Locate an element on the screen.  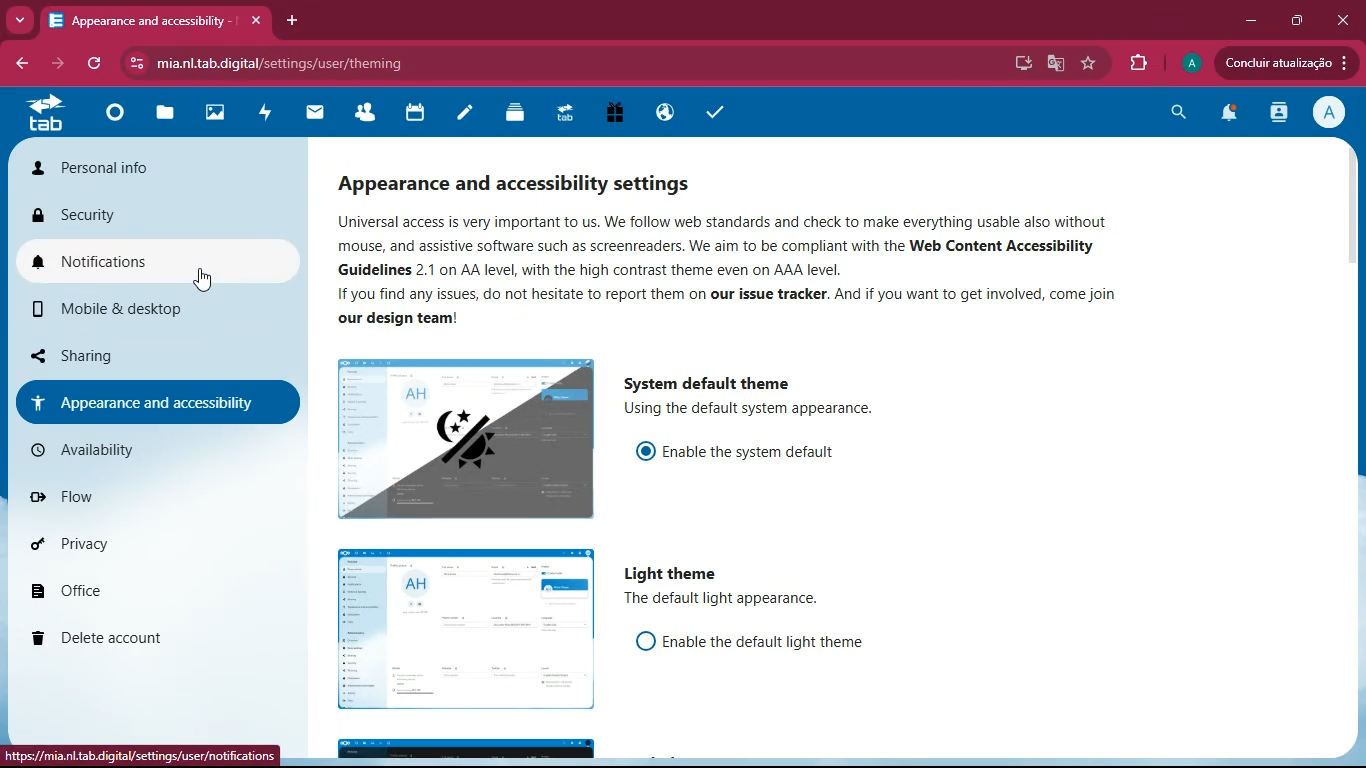
Enable the system default is located at coordinates (734, 455).